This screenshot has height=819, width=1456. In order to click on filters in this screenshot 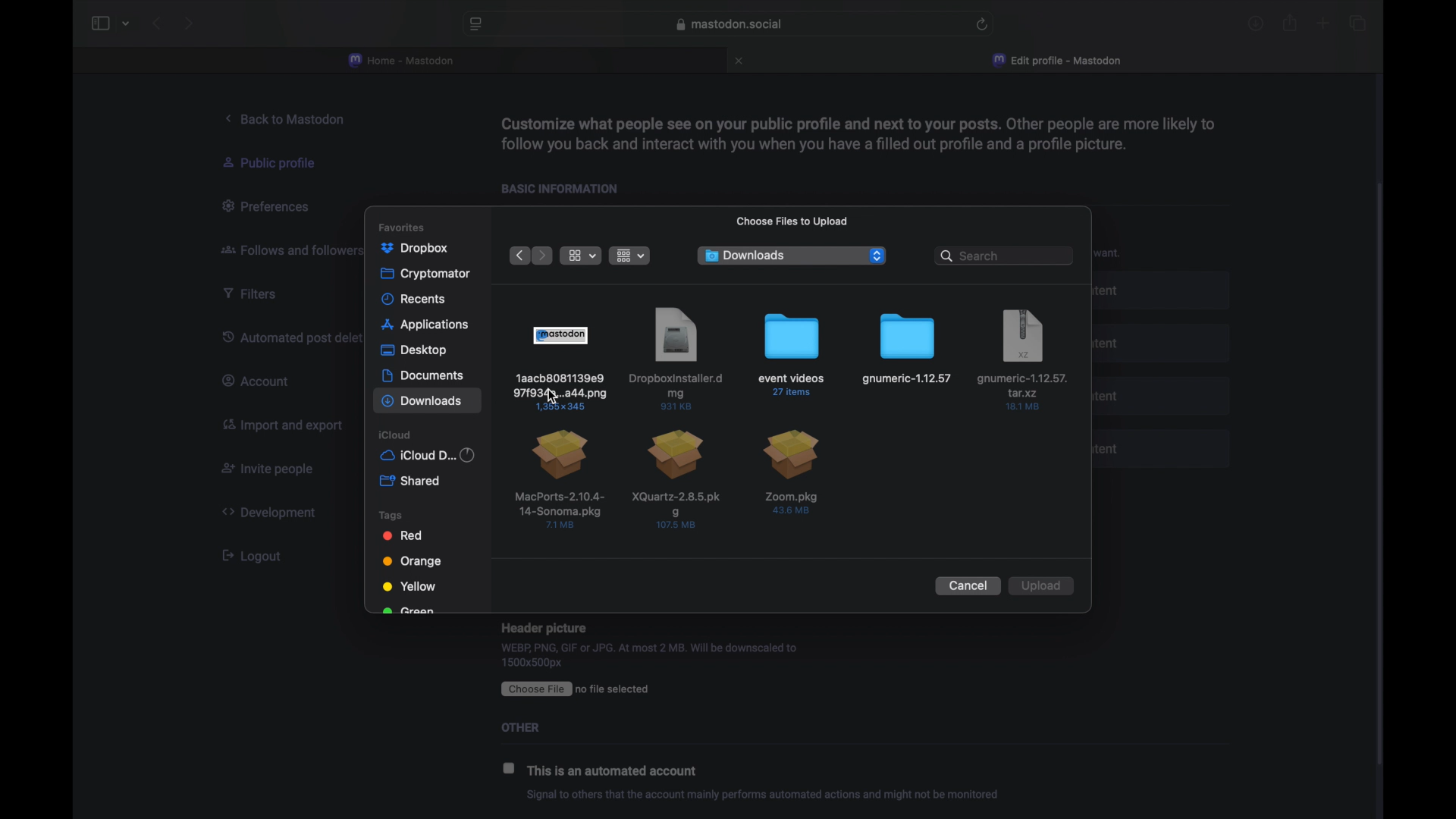, I will do `click(256, 293)`.